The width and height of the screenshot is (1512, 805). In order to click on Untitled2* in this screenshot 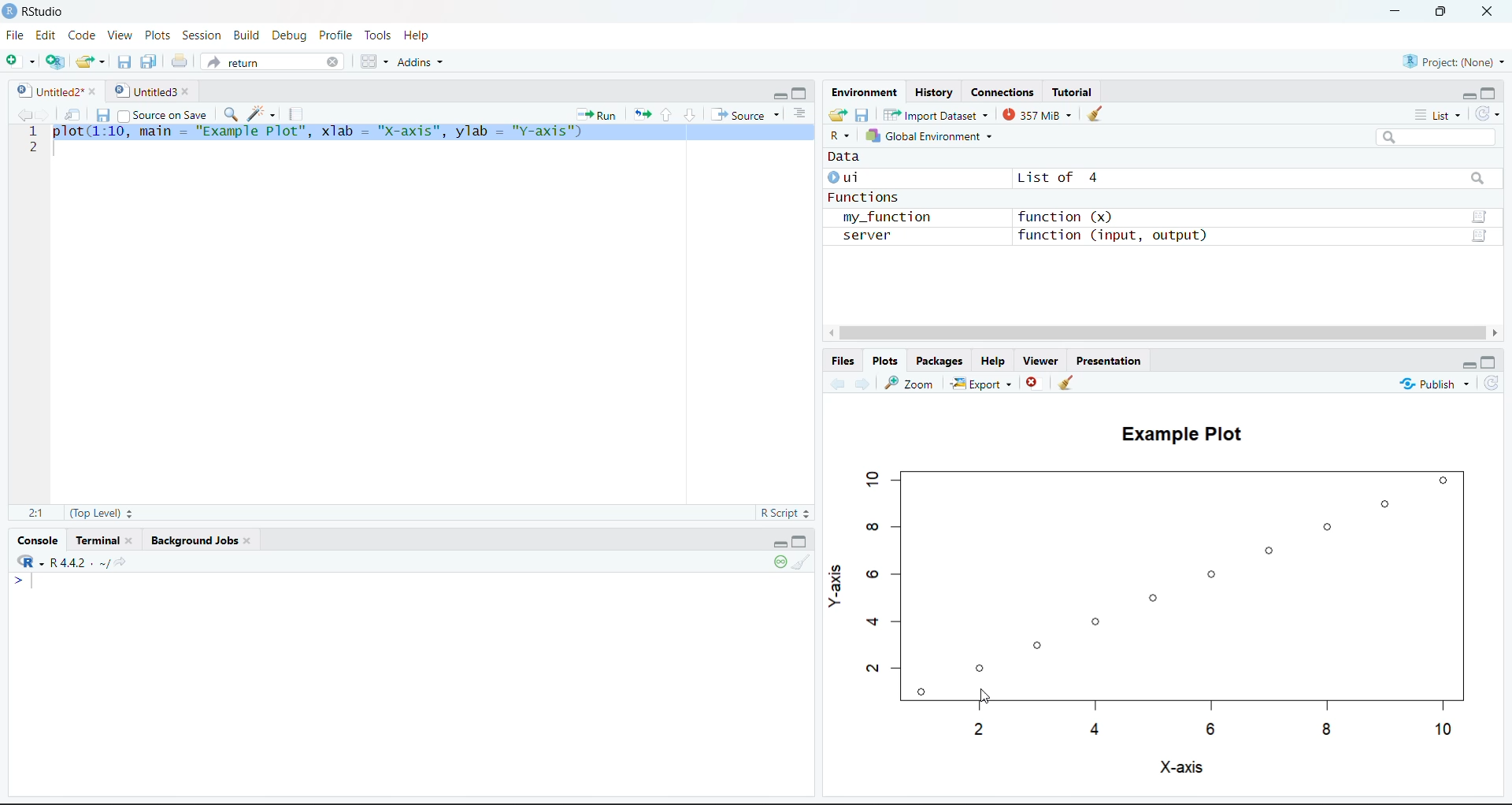, I will do `click(54, 87)`.